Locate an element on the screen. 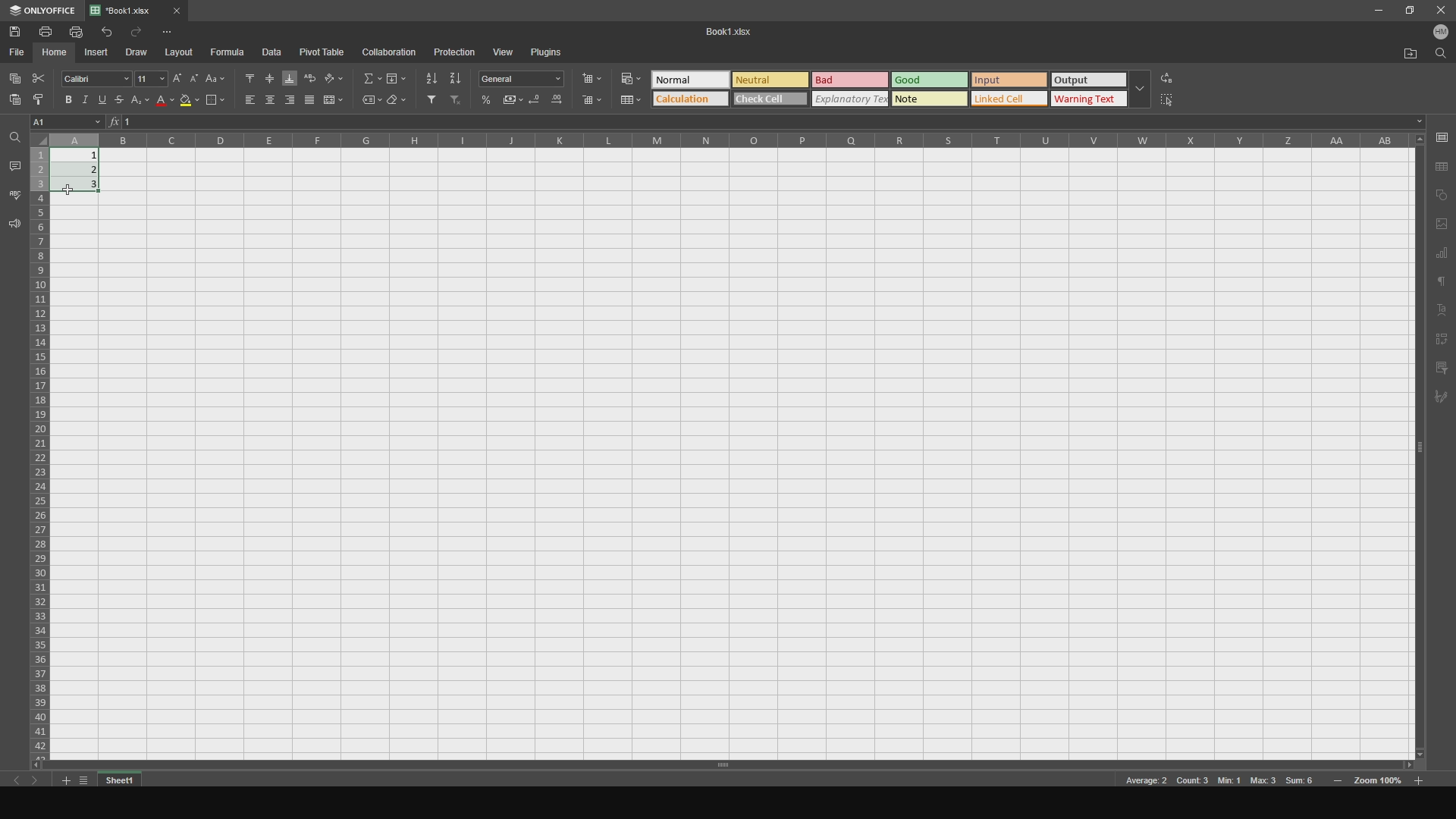 This screenshot has height=819, width=1456. copy is located at coordinates (14, 76).